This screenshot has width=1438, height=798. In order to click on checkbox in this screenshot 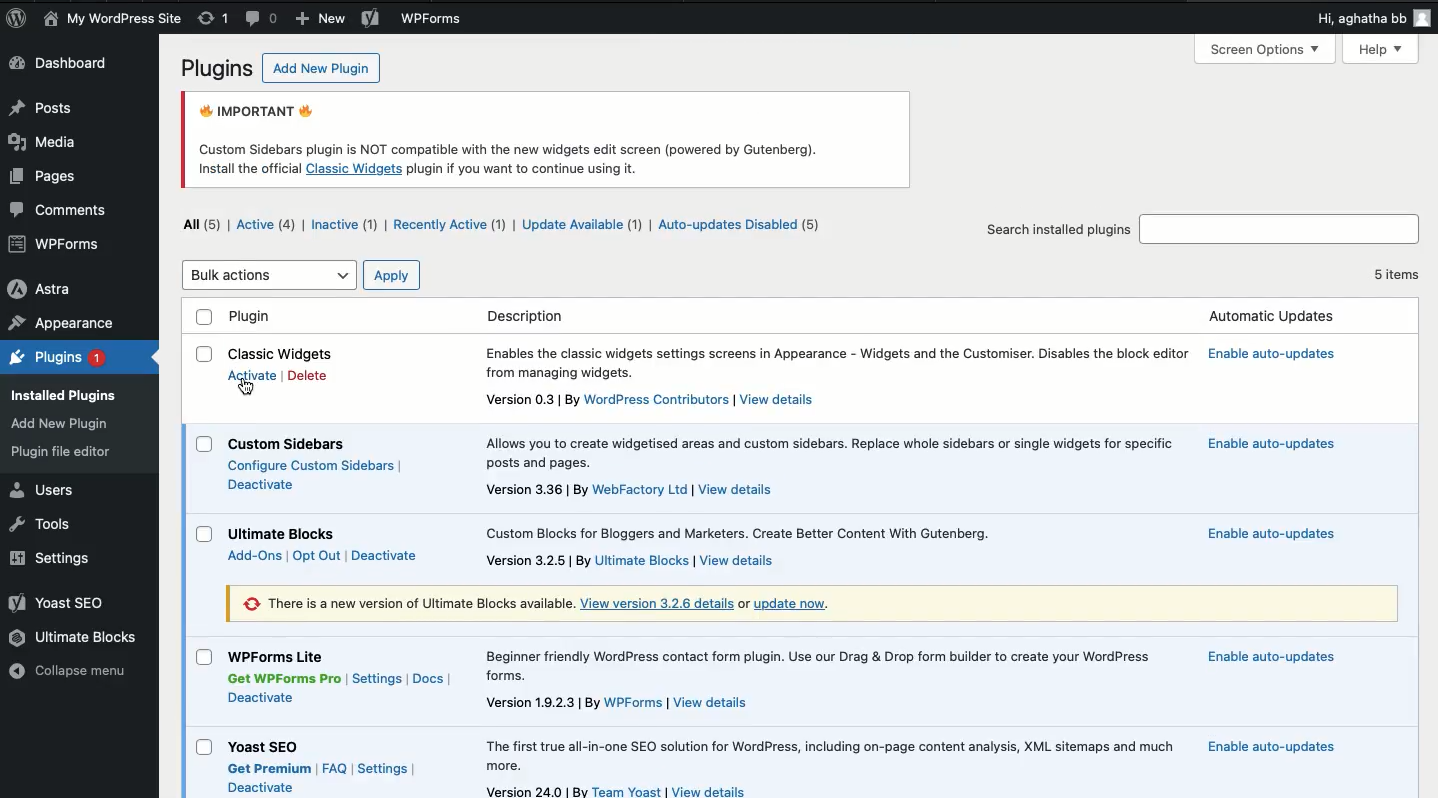, I will do `click(203, 444)`.